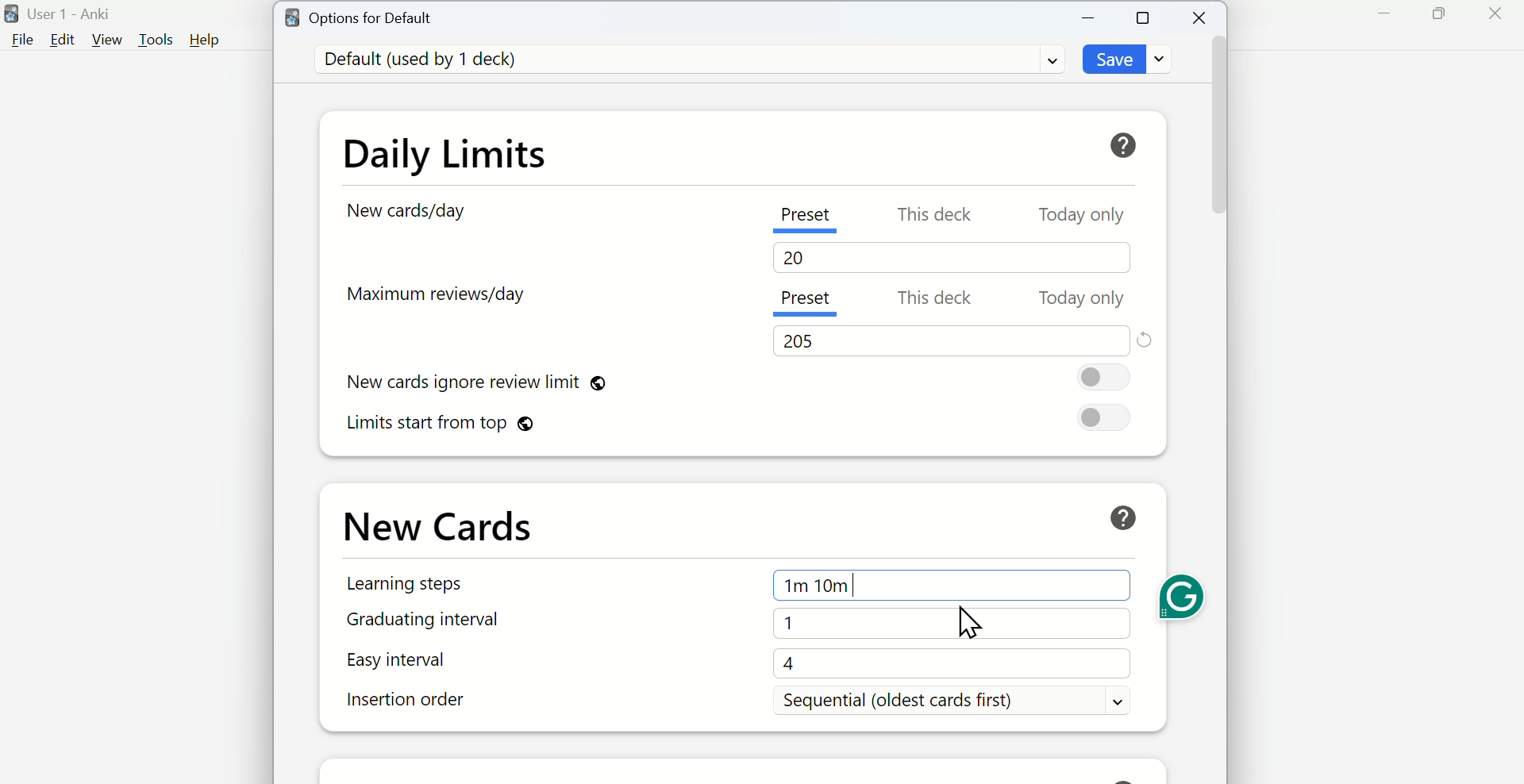  Describe the element at coordinates (1147, 338) in the screenshot. I see `Reset` at that location.